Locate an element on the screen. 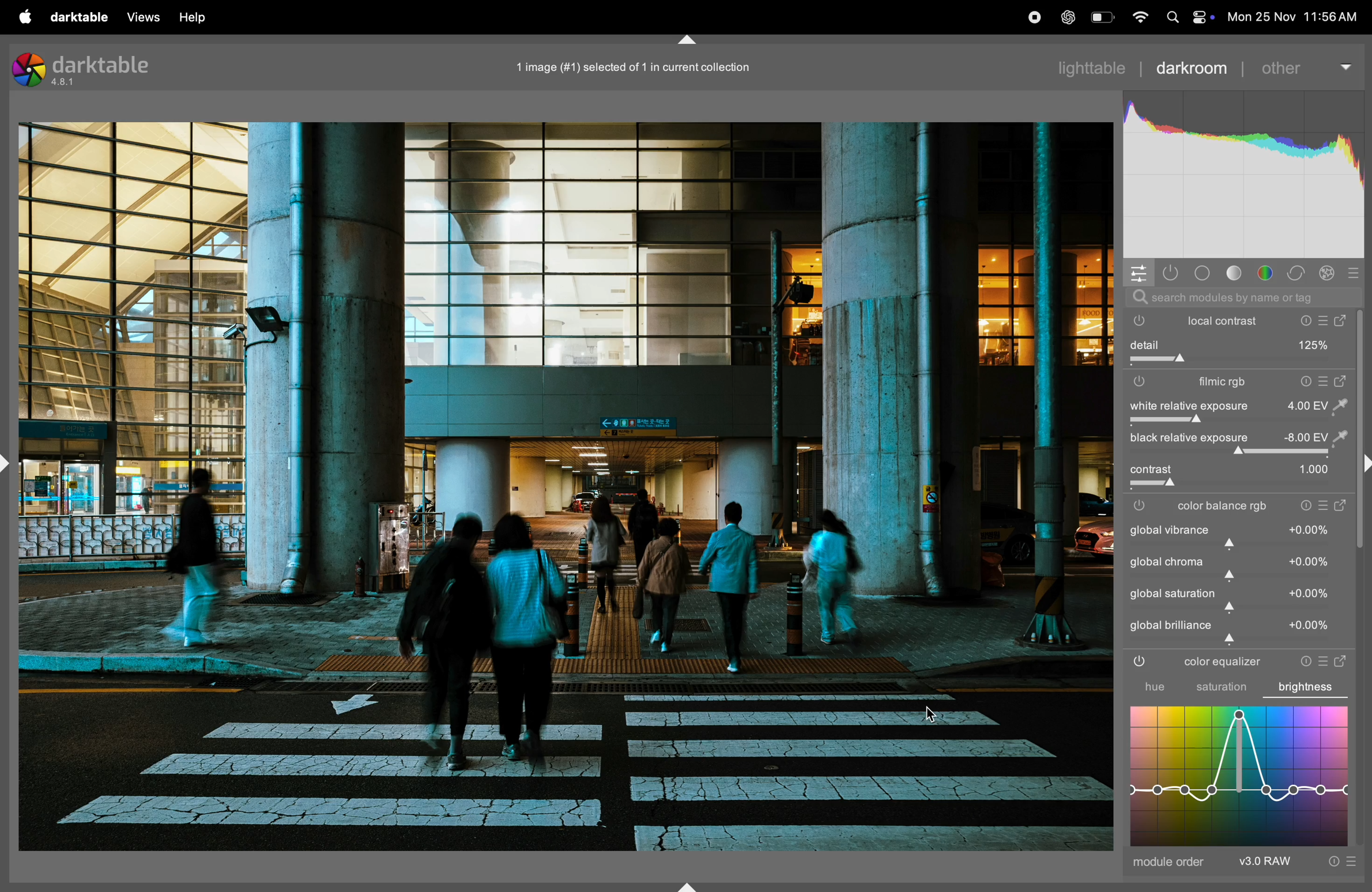 This screenshot has width=1372, height=892. Collapse or expand  is located at coordinates (1363, 465).